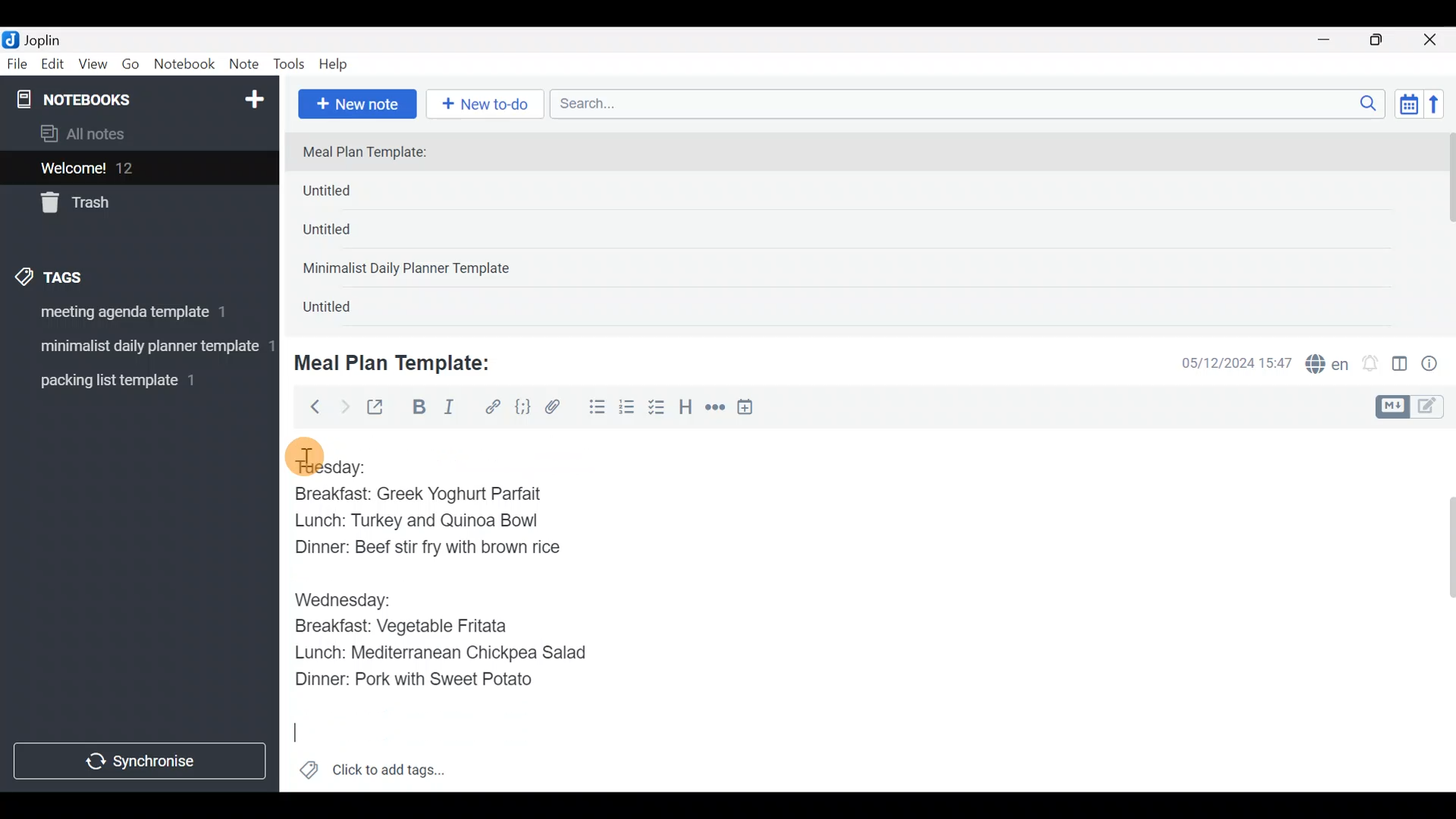  I want to click on Insert time, so click(752, 409).